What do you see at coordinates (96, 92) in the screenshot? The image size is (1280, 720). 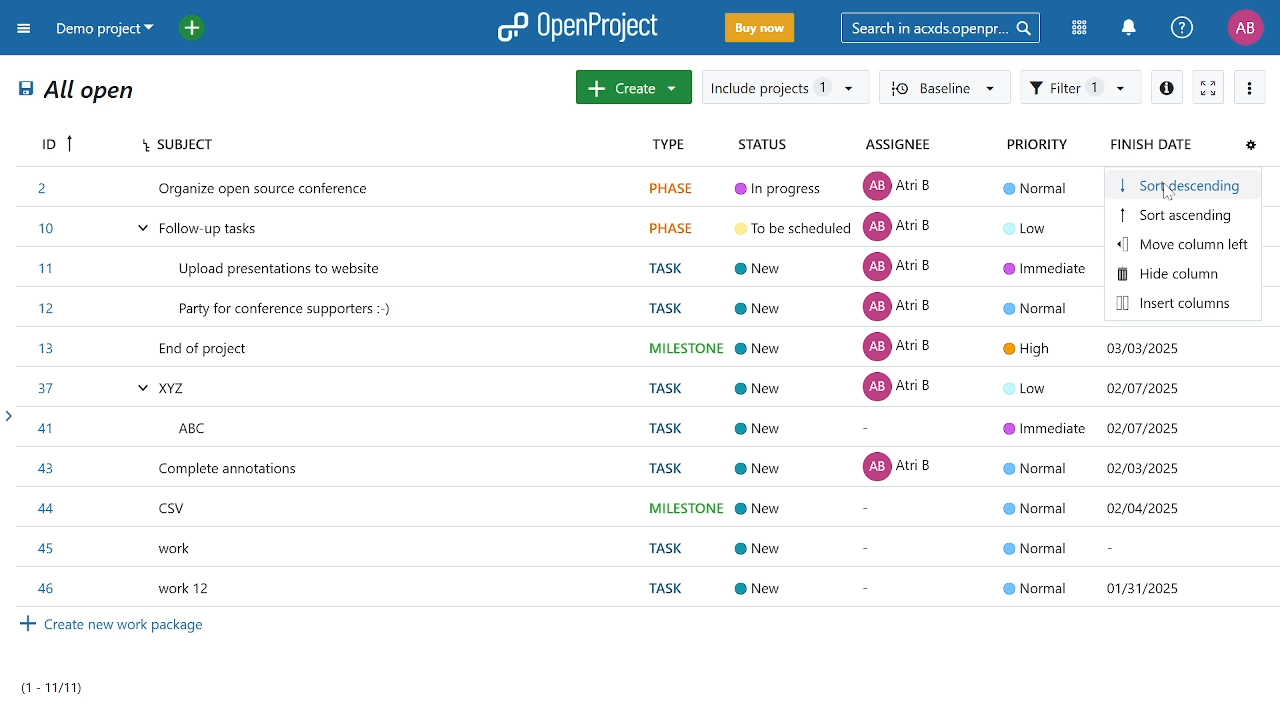 I see `All open` at bounding box center [96, 92].